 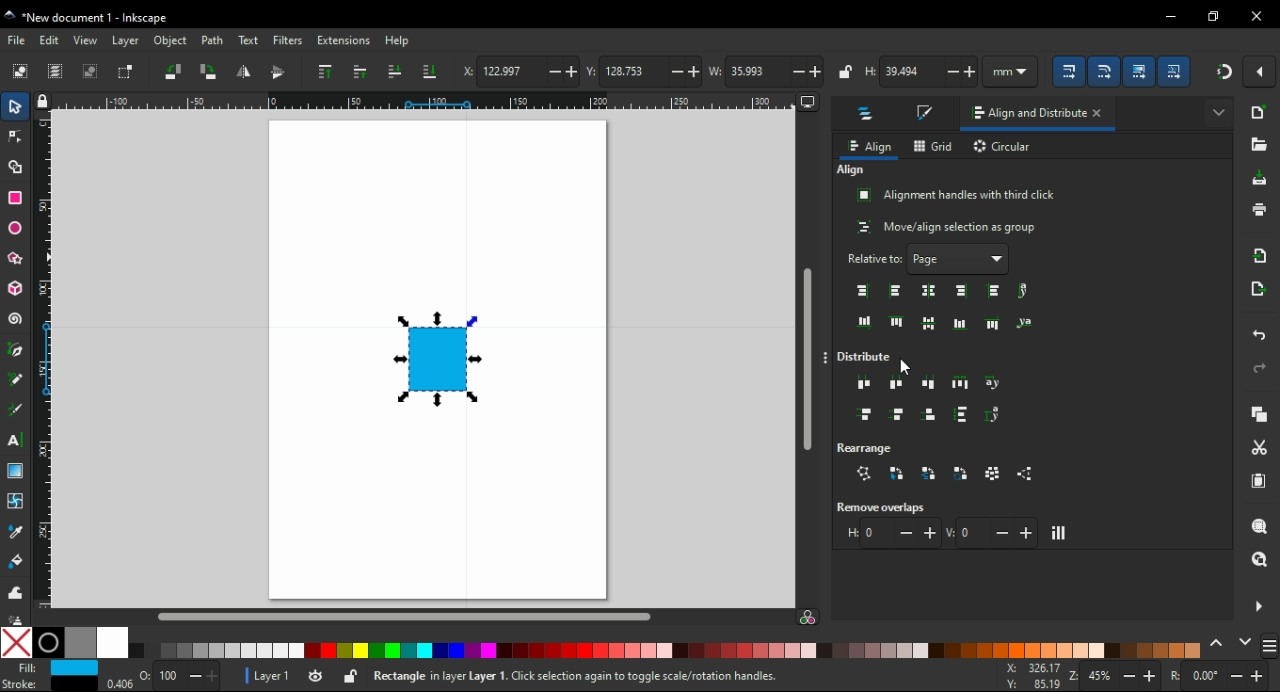 What do you see at coordinates (17, 642) in the screenshot?
I see `none` at bounding box center [17, 642].